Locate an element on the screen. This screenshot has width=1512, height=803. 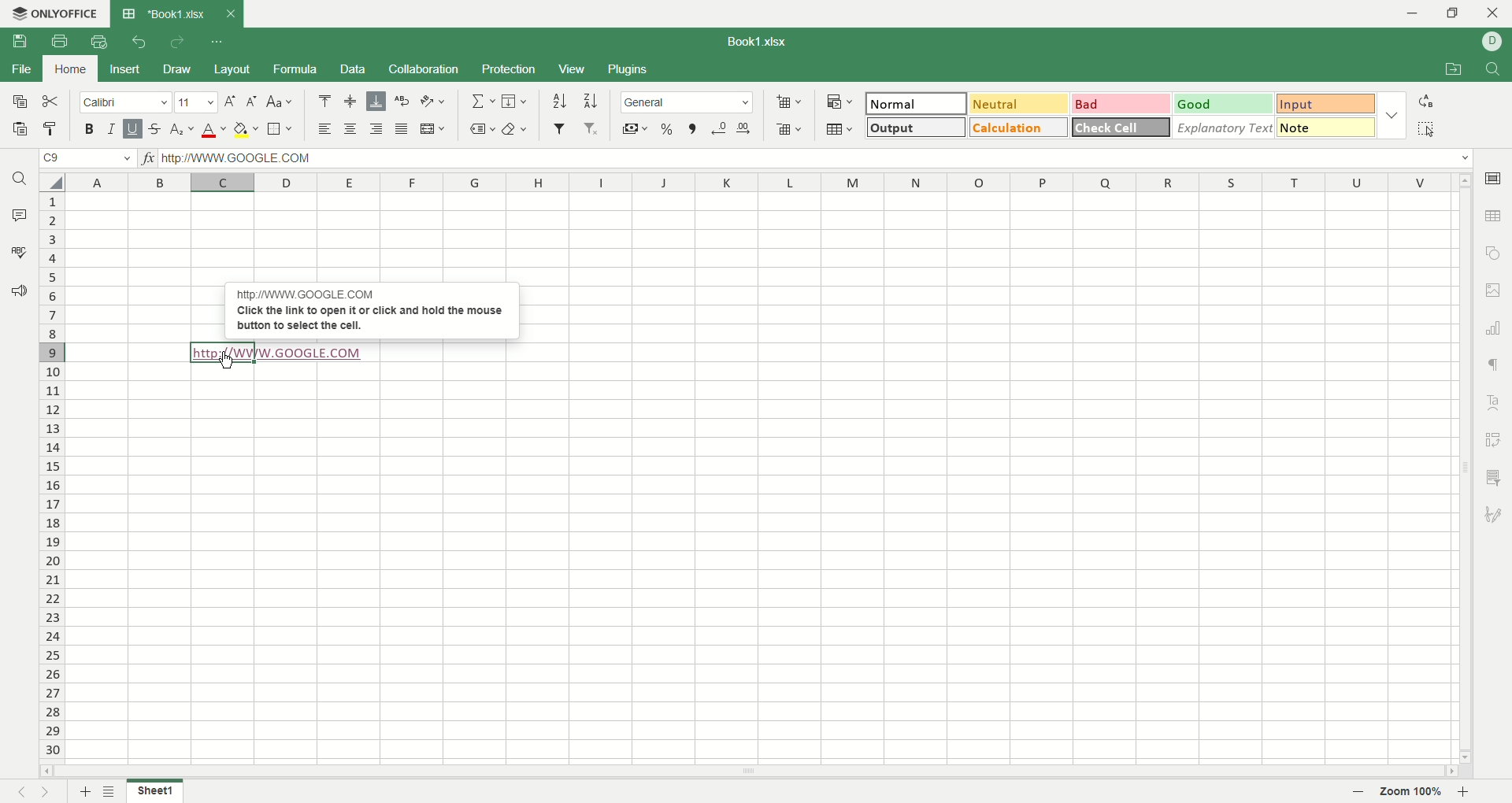
cut is located at coordinates (54, 103).